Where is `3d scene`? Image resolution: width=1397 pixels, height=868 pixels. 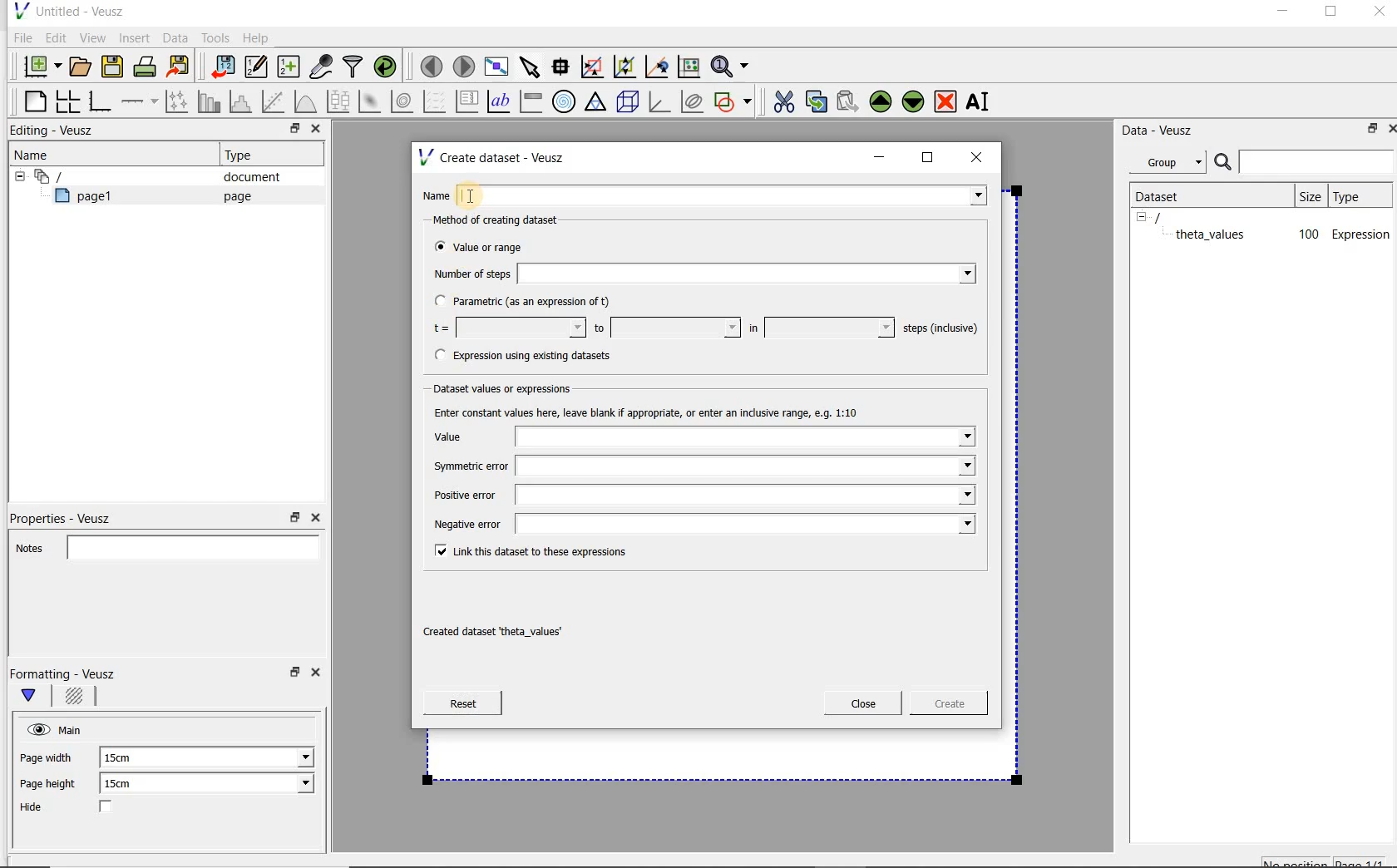
3d scene is located at coordinates (629, 103).